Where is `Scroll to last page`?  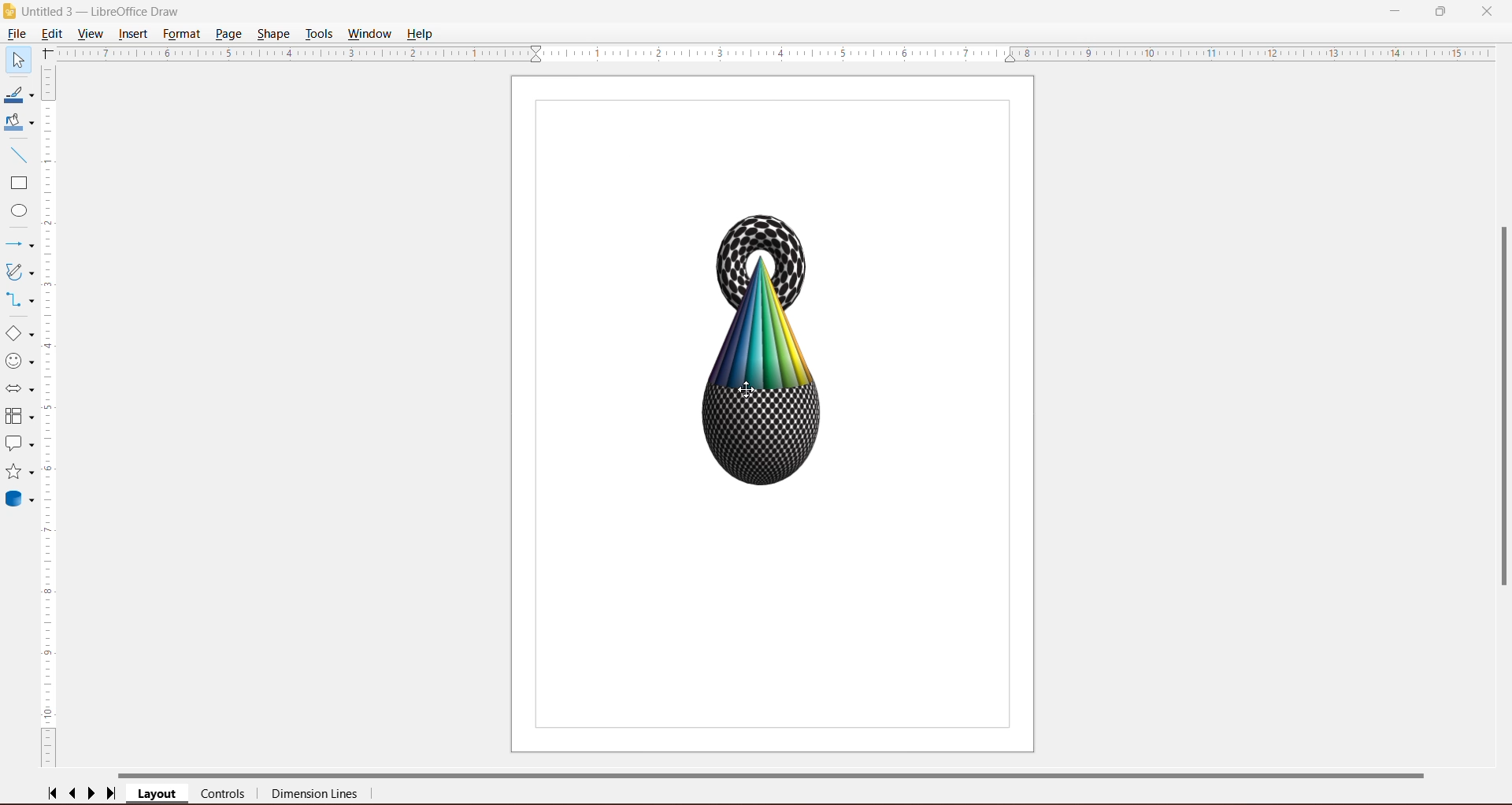 Scroll to last page is located at coordinates (112, 794).